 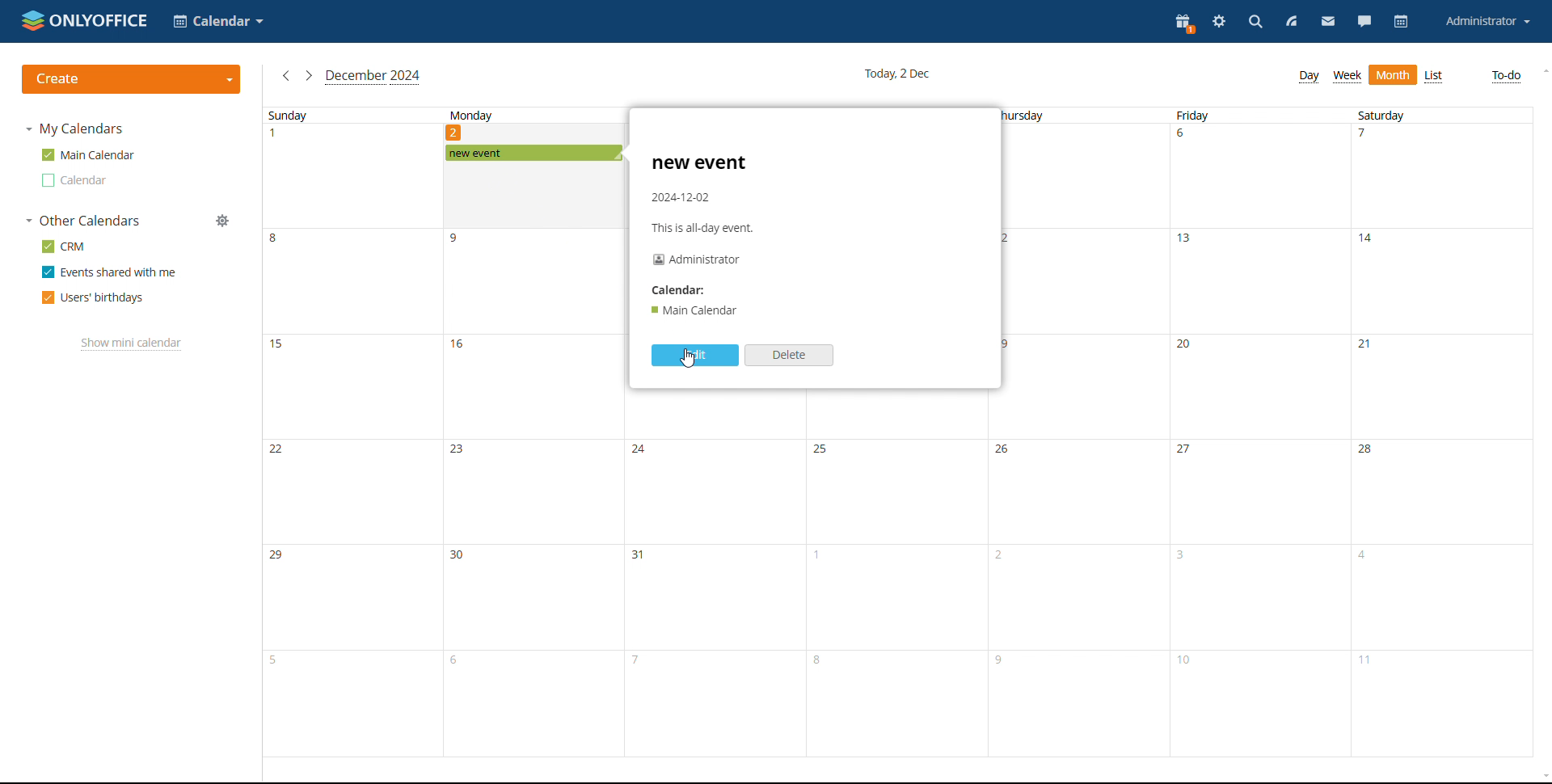 What do you see at coordinates (1346, 76) in the screenshot?
I see `week view` at bounding box center [1346, 76].